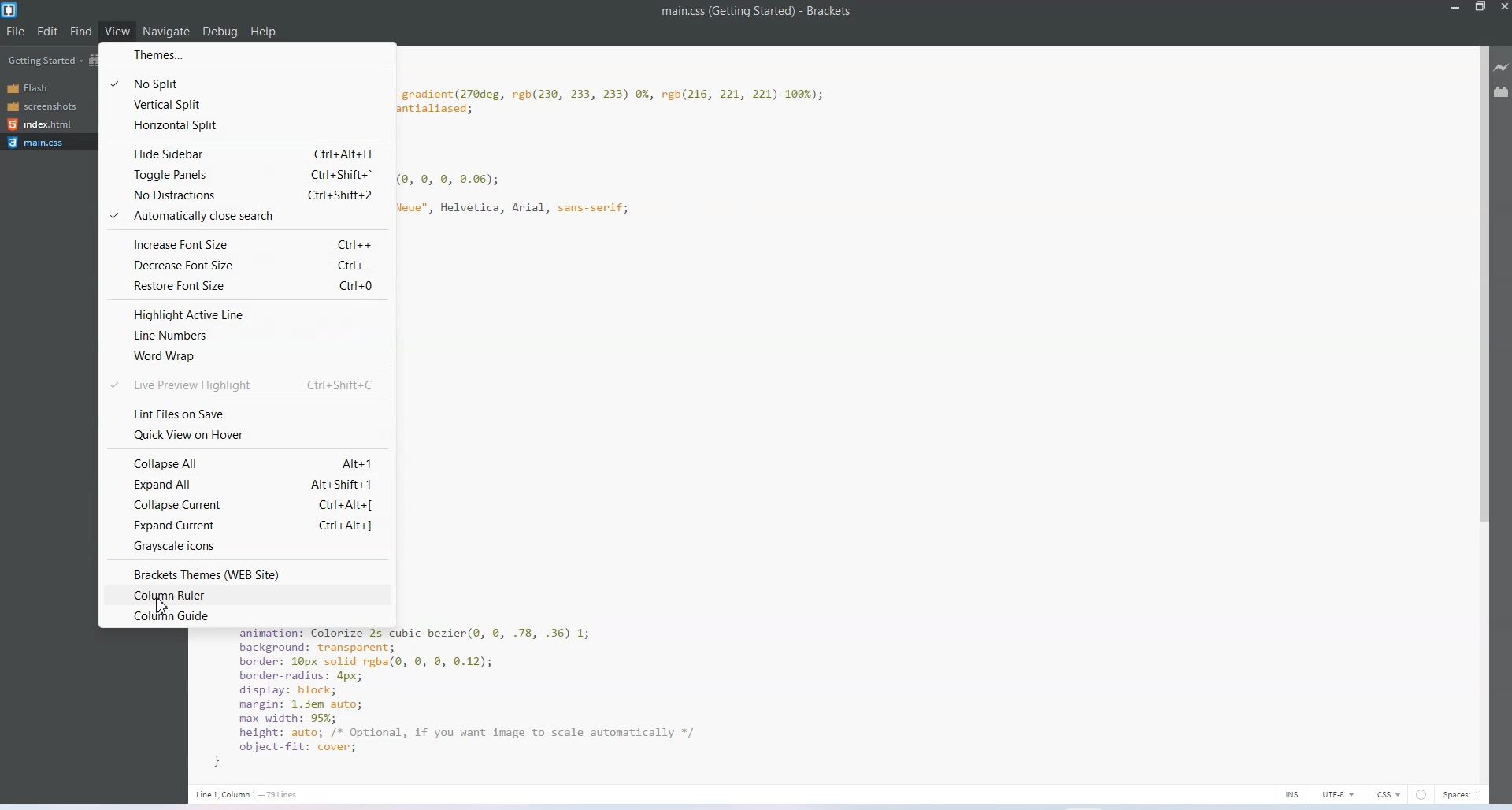 Image resolution: width=1512 pixels, height=810 pixels. What do you see at coordinates (248, 55) in the screenshot?
I see `Themes` at bounding box center [248, 55].